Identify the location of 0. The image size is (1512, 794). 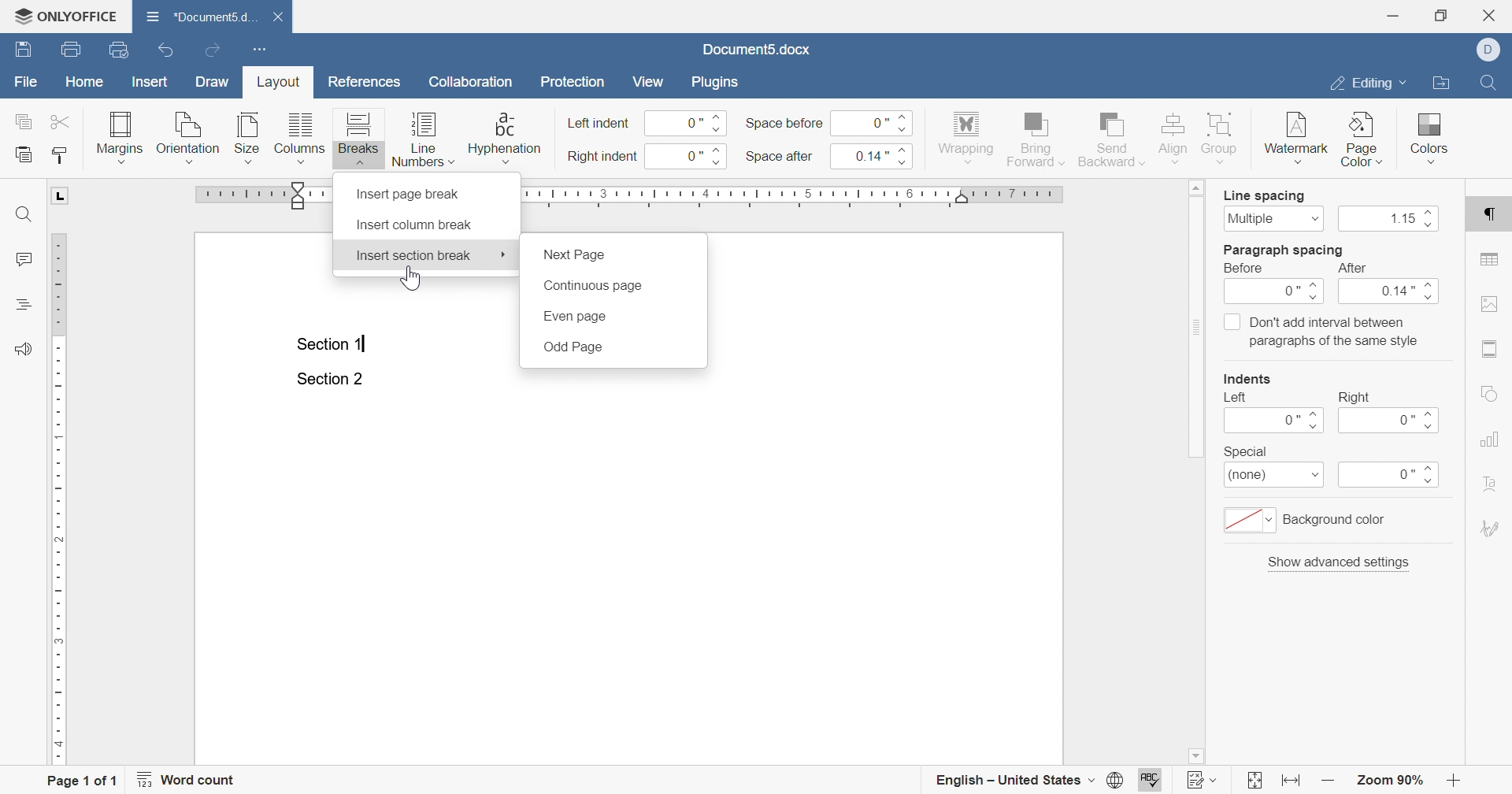
(1273, 421).